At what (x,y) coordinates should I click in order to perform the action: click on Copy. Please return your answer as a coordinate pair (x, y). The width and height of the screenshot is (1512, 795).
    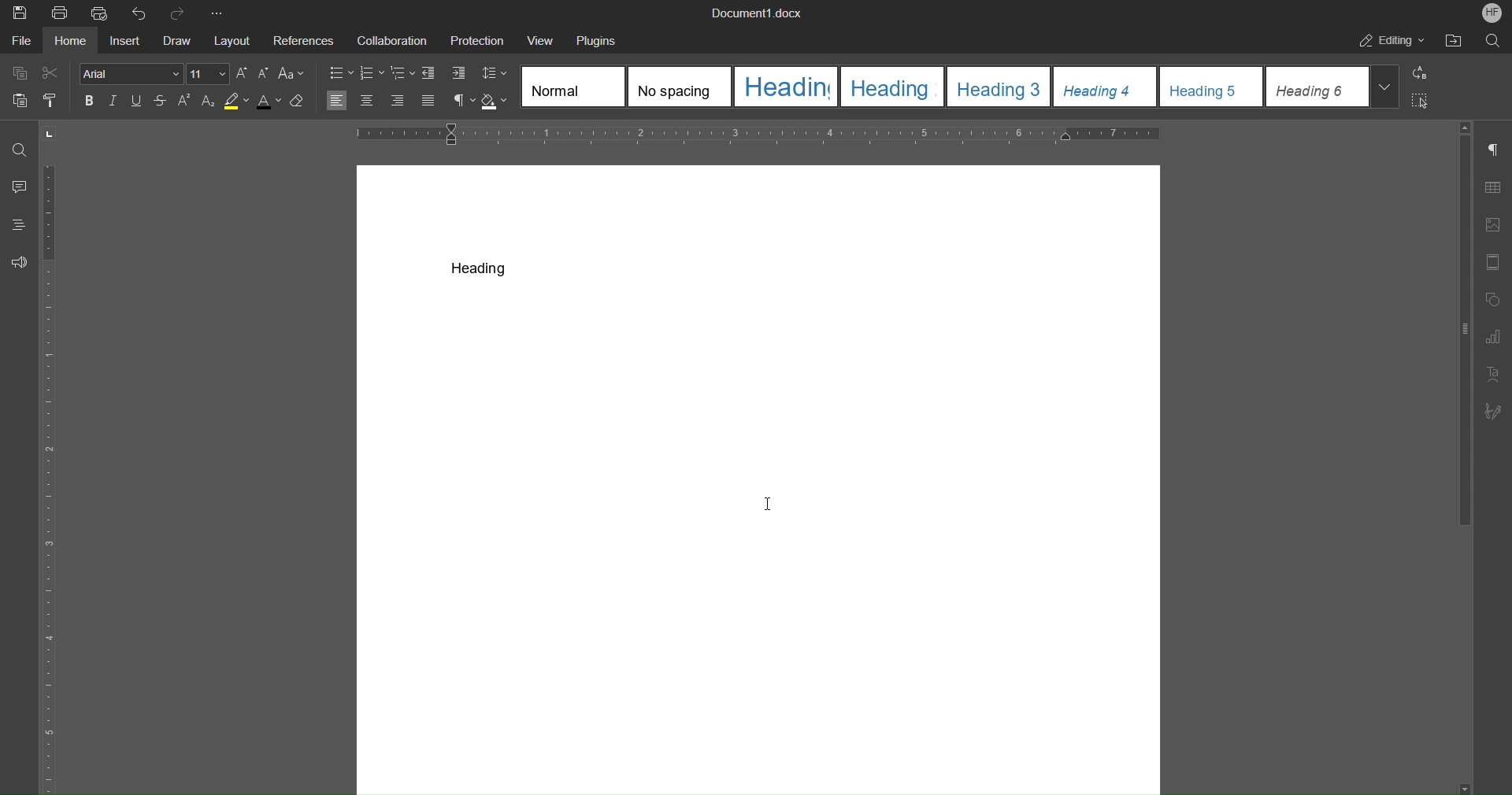
    Looking at the image, I should click on (18, 71).